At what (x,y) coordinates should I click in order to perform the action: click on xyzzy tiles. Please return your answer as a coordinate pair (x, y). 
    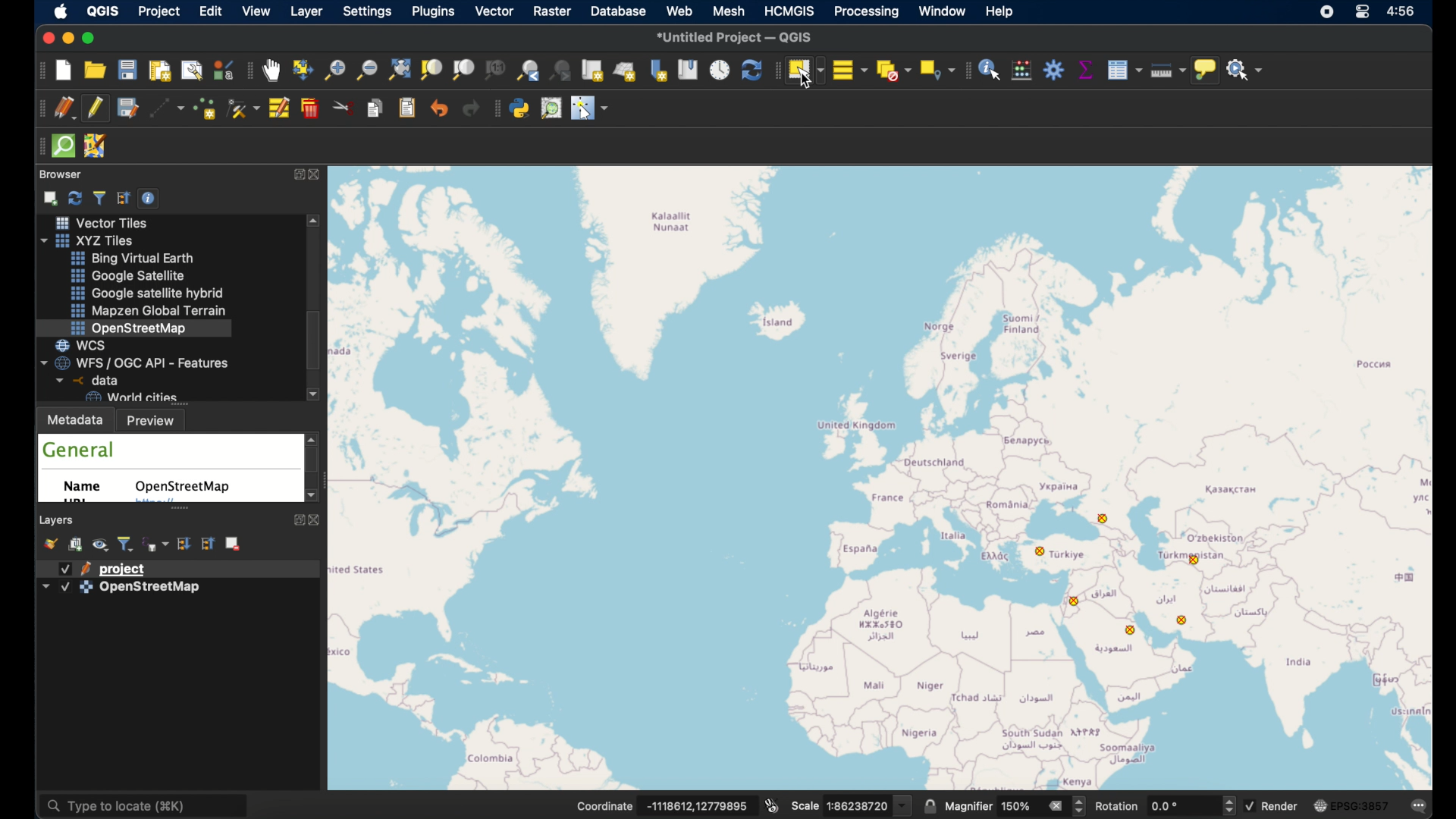
    Looking at the image, I should click on (94, 240).